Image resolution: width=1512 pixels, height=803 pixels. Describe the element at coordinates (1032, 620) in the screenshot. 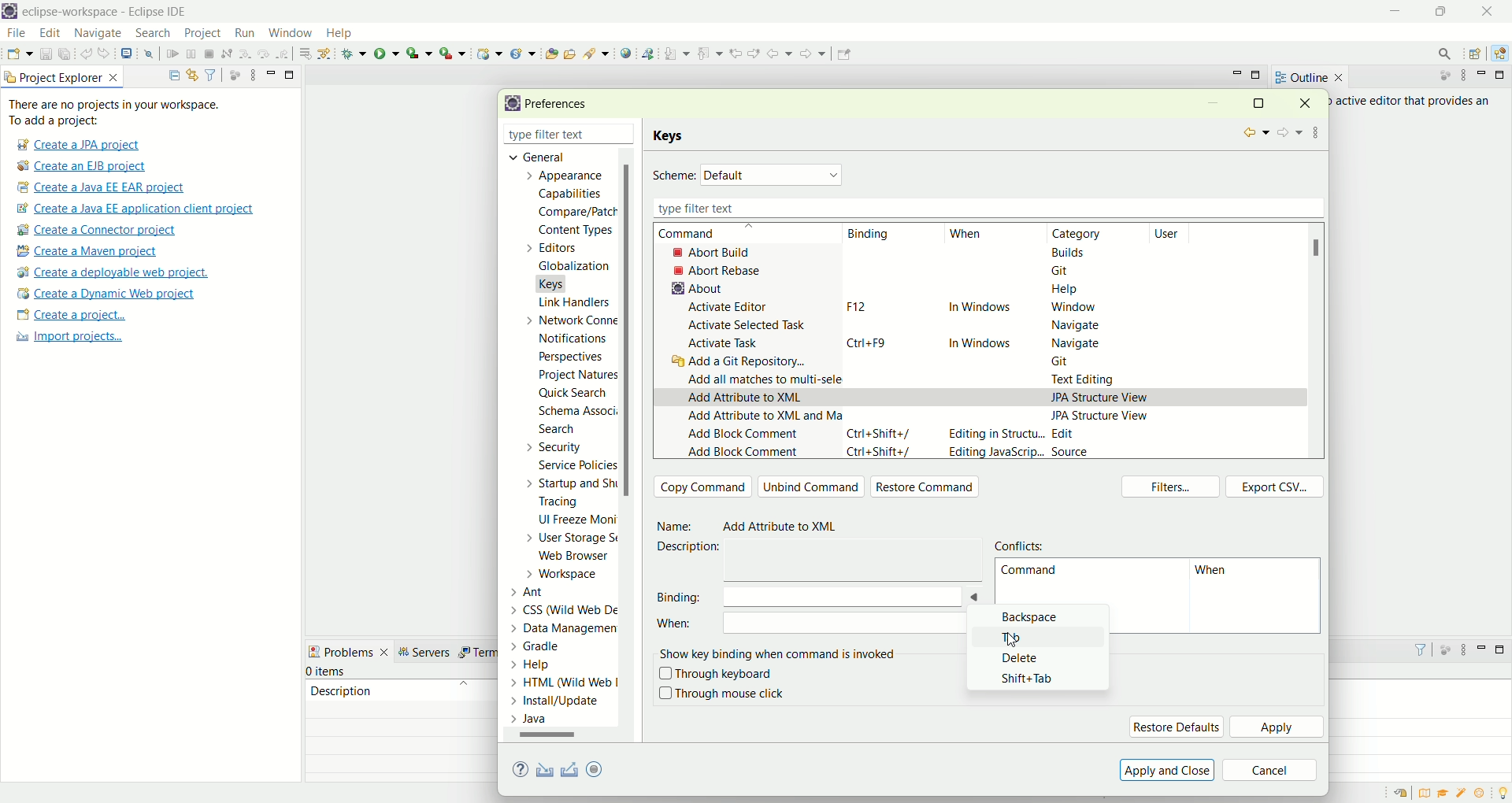

I see `backspace` at that location.